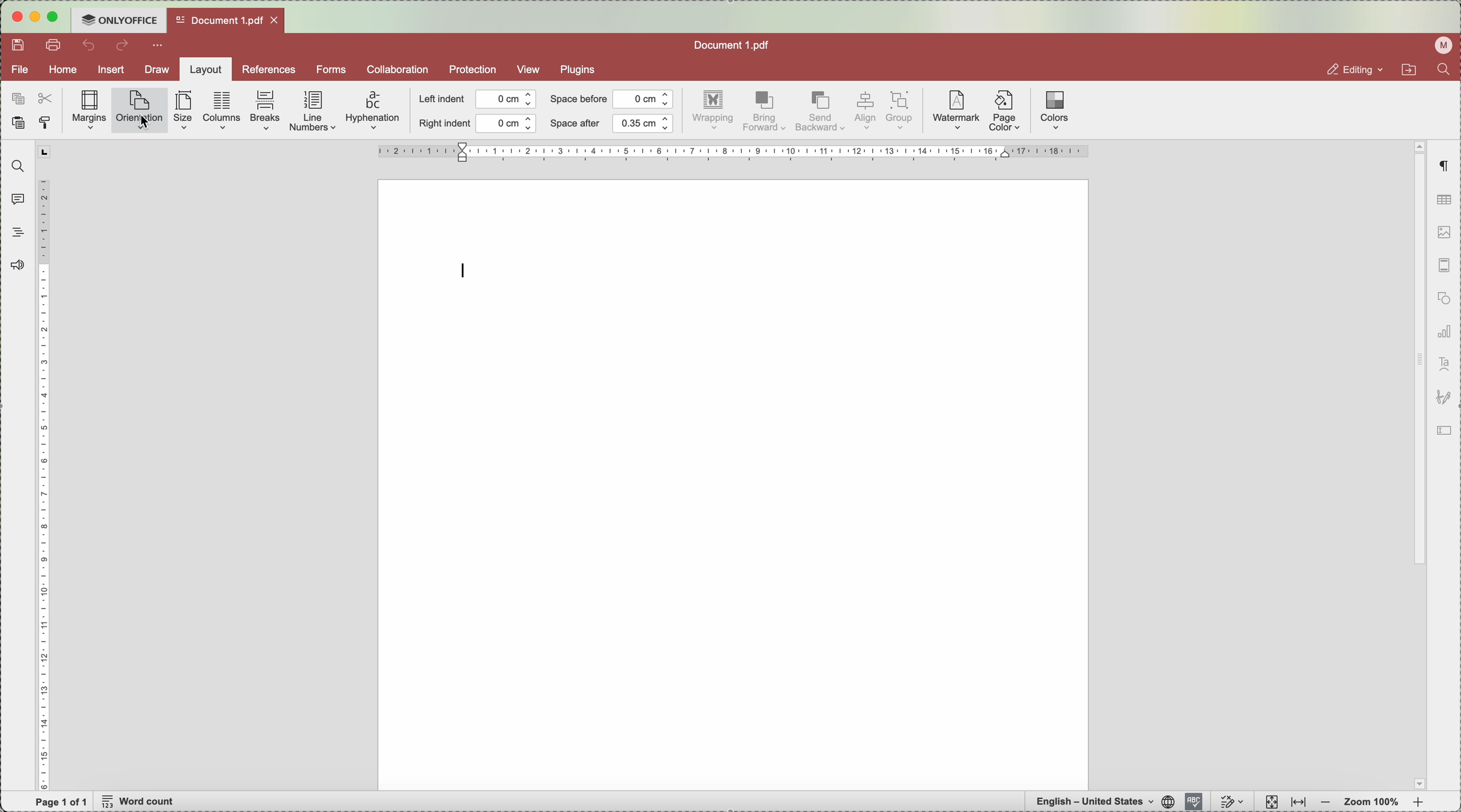 This screenshot has height=812, width=1461. I want to click on icon, so click(1443, 399).